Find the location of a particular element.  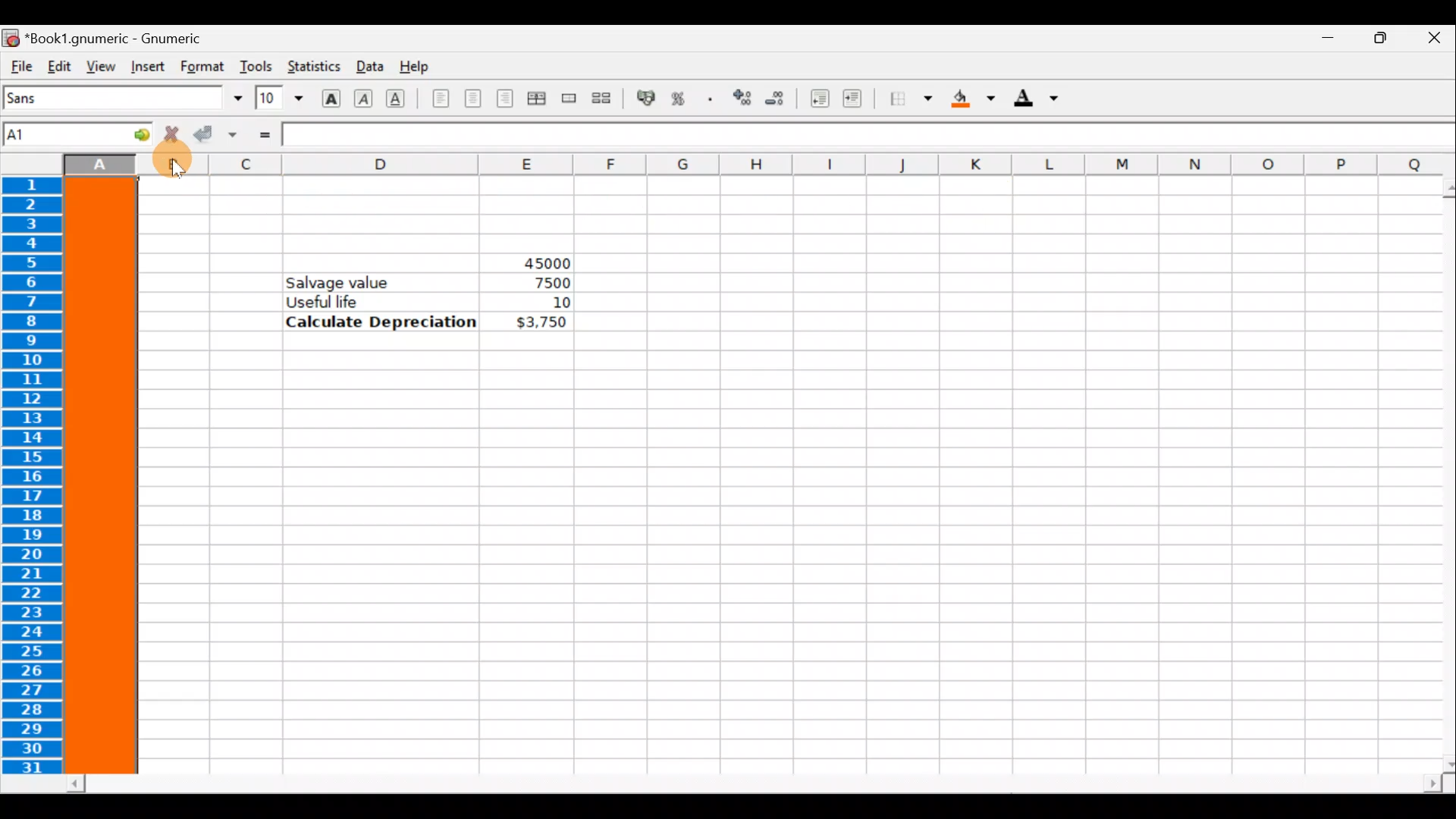

Tools is located at coordinates (256, 66).